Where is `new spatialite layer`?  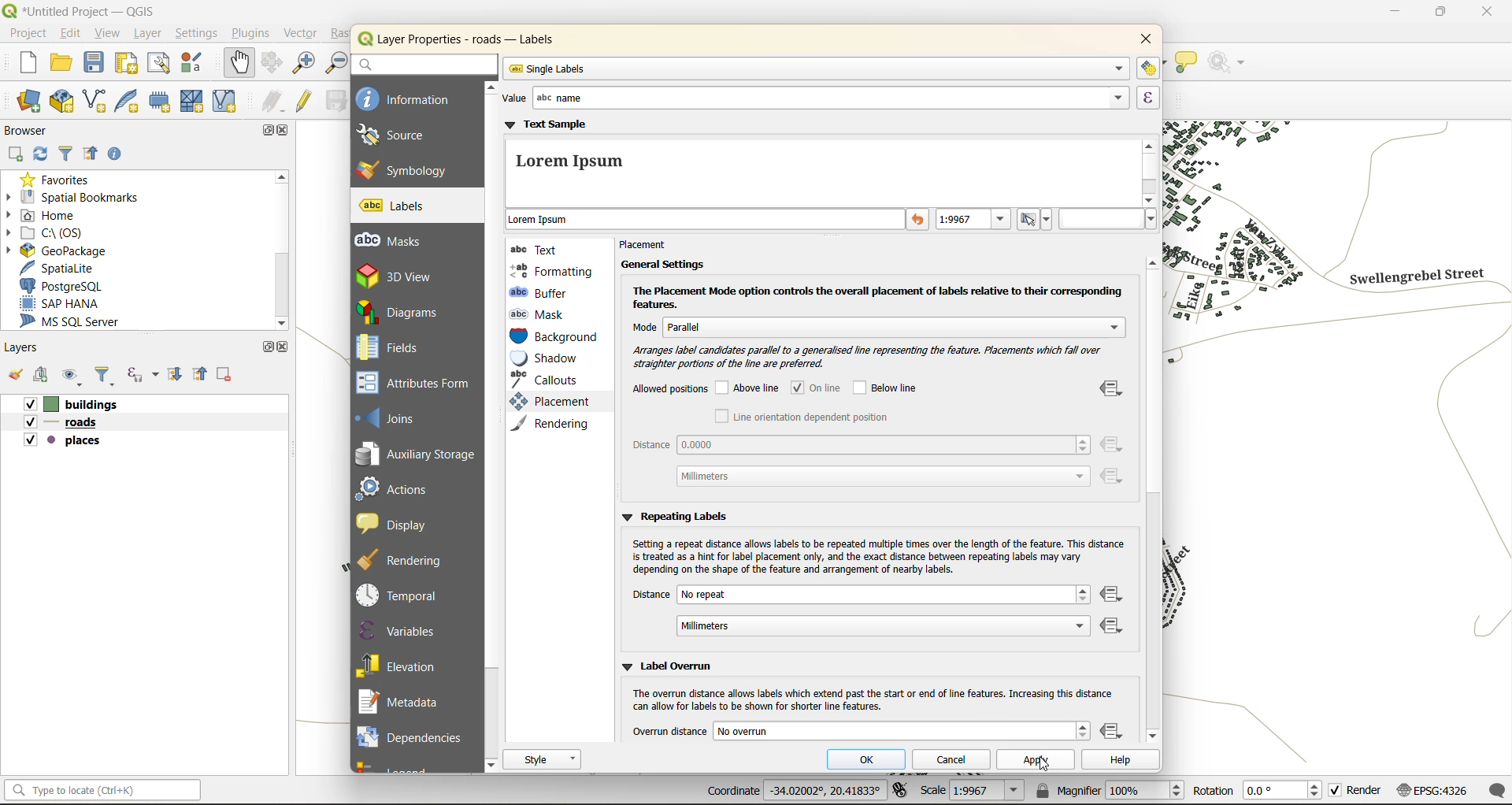
new spatialite layer is located at coordinates (132, 103).